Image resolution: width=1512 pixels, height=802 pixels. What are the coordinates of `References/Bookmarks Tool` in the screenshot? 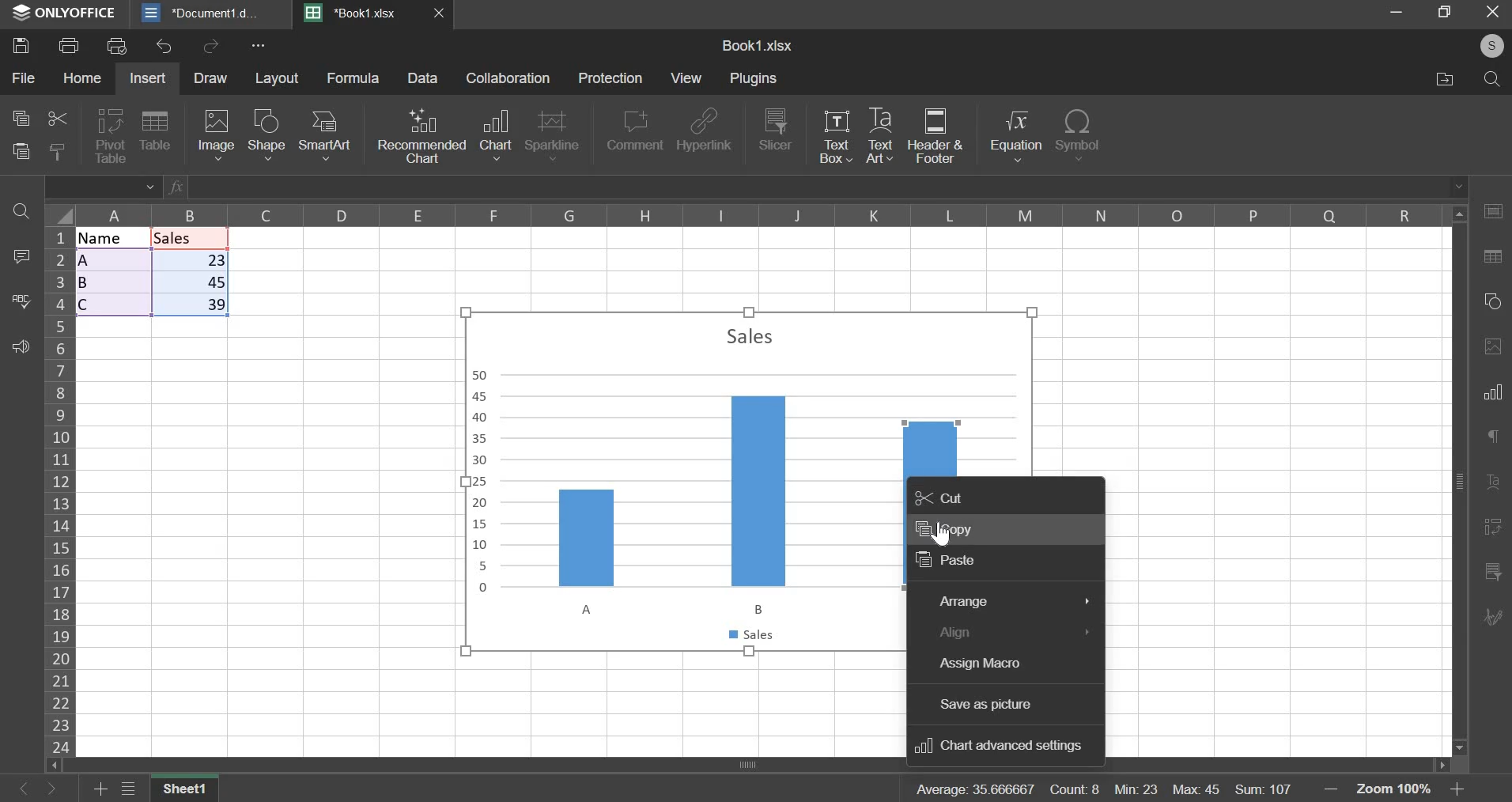 It's located at (1490, 528).